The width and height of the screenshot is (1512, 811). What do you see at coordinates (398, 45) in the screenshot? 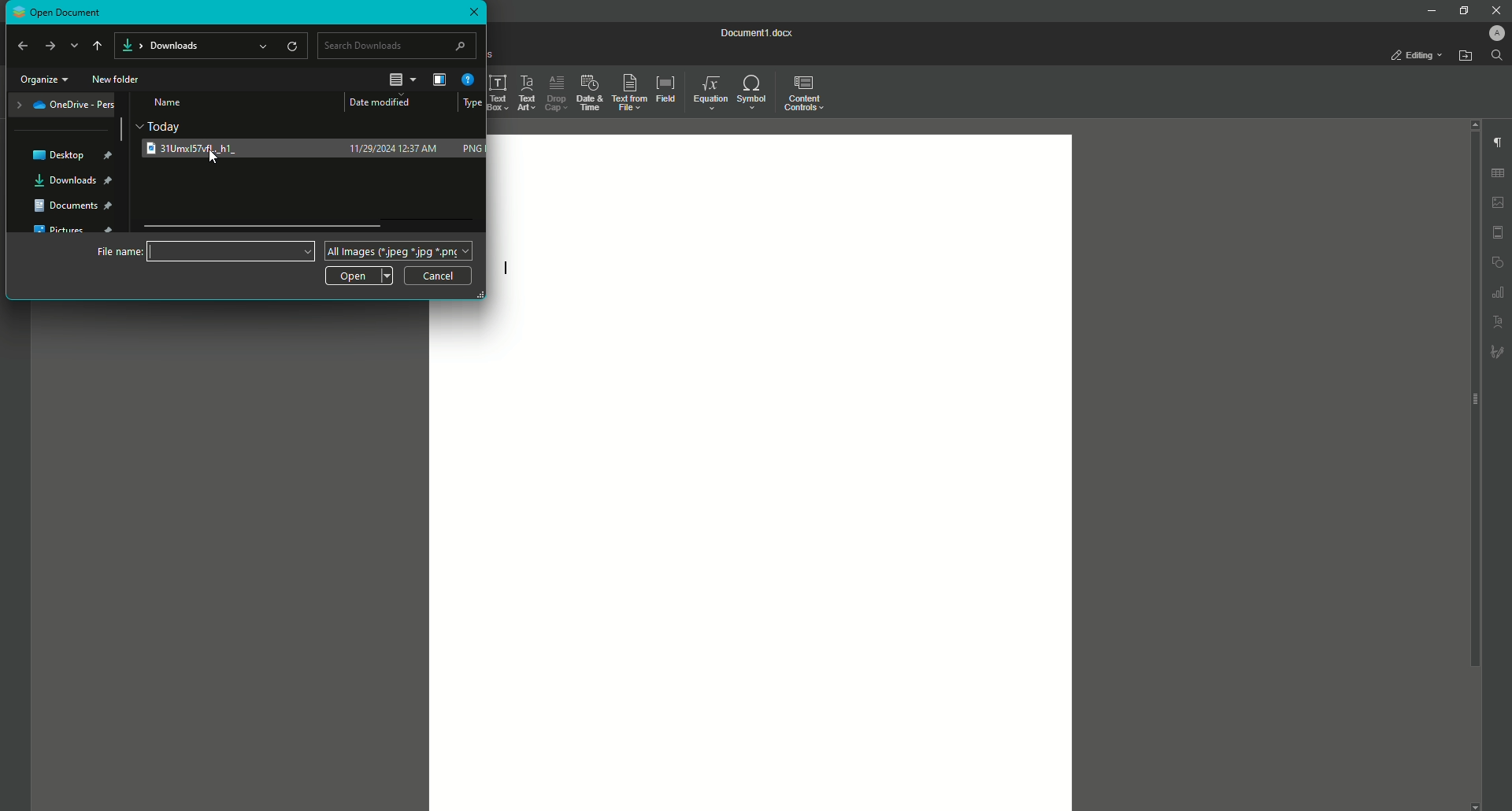
I see `Search bar` at bounding box center [398, 45].